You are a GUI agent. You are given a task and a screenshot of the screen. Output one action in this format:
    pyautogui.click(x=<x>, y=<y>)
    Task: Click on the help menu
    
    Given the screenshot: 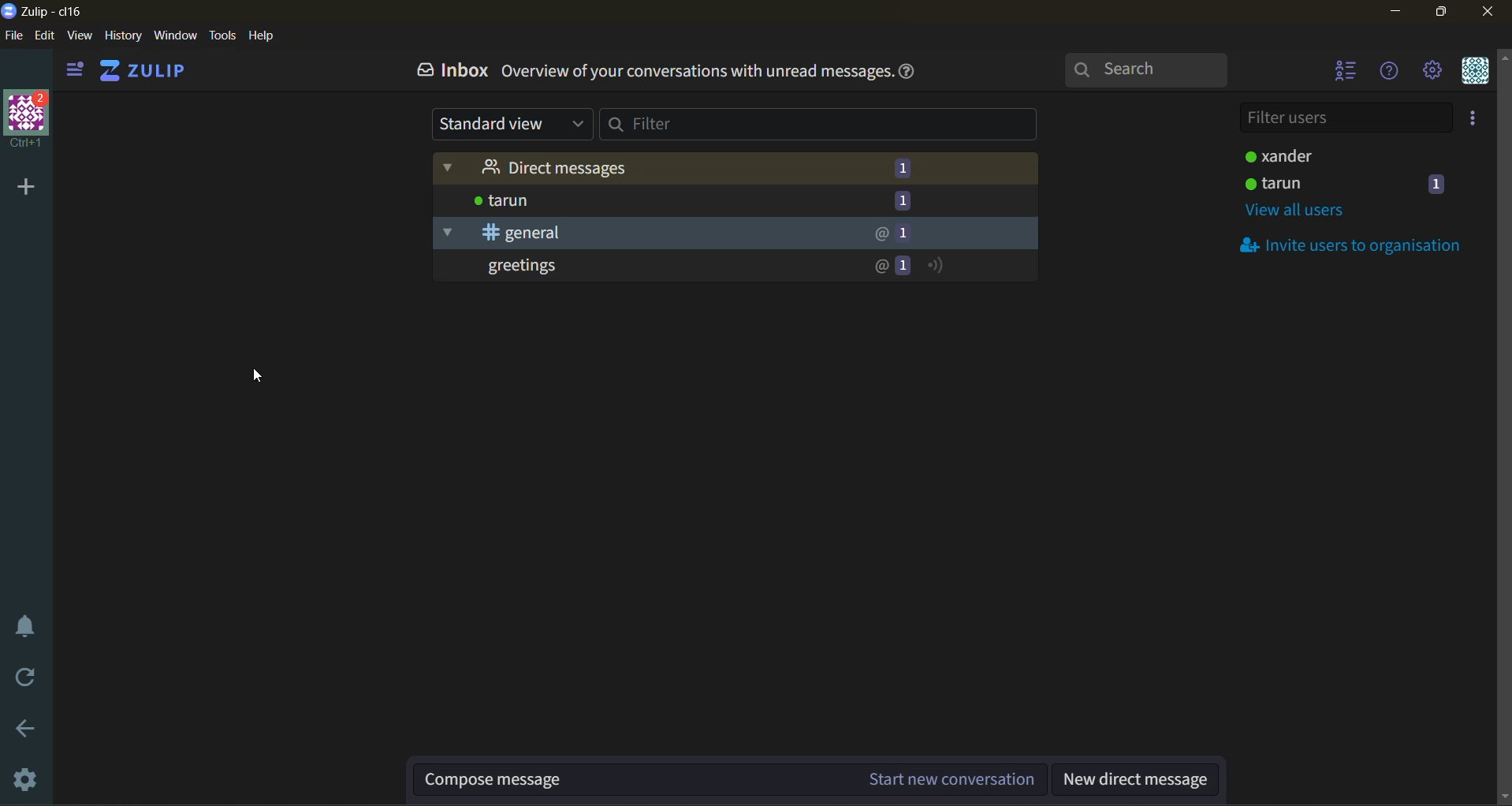 What is the action you would take?
    pyautogui.click(x=1395, y=69)
    